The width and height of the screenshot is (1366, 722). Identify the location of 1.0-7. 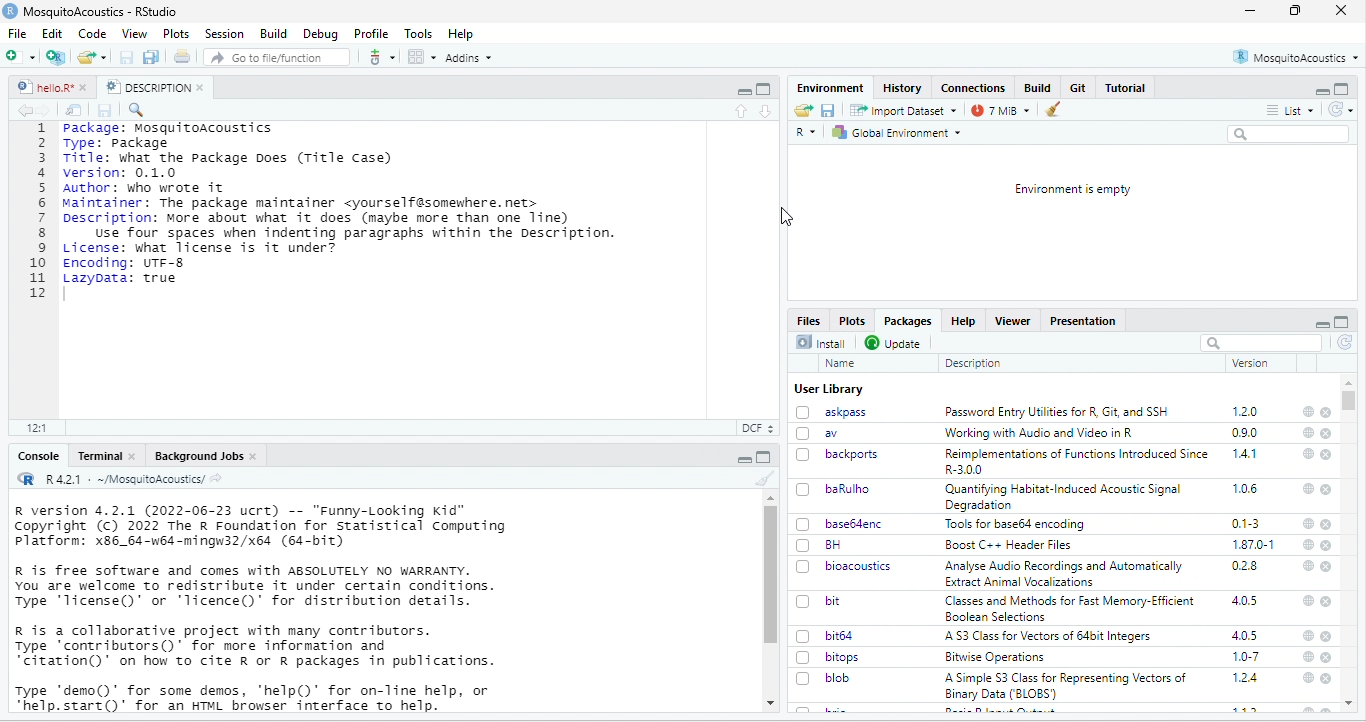
(1245, 657).